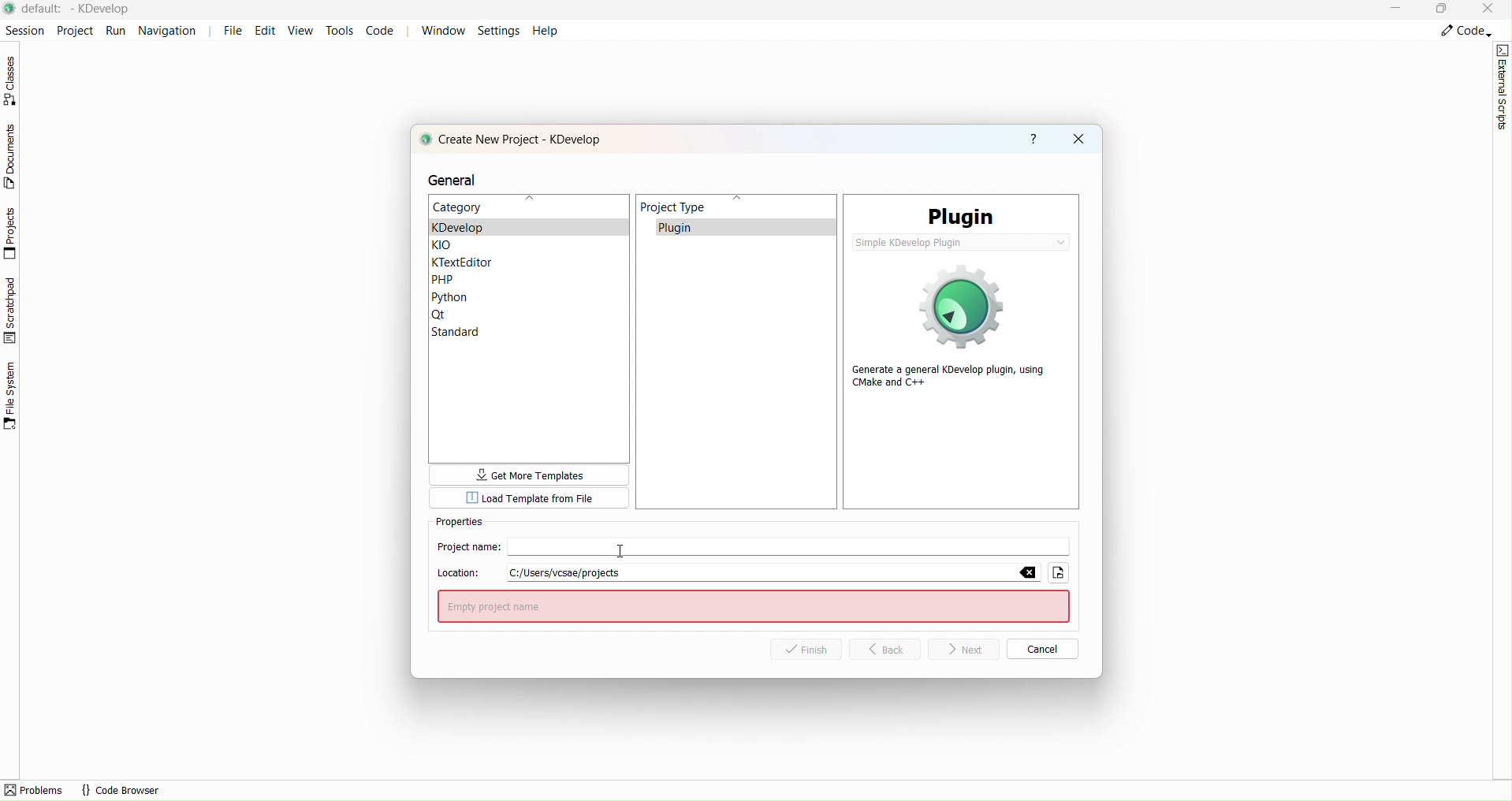 Image resolution: width=1512 pixels, height=801 pixels. I want to click on Finish, so click(812, 651).